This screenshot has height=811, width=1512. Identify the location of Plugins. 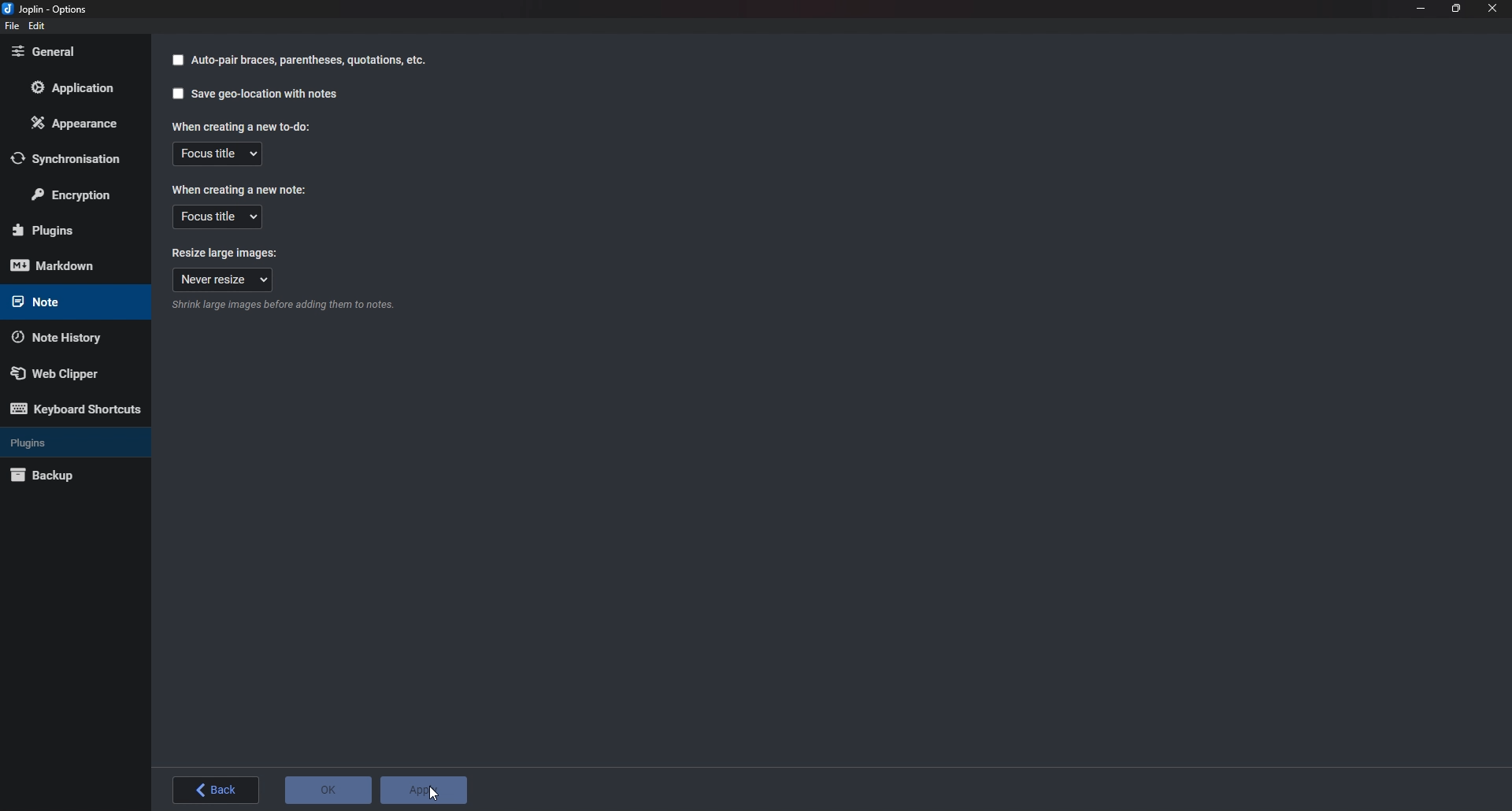
(71, 230).